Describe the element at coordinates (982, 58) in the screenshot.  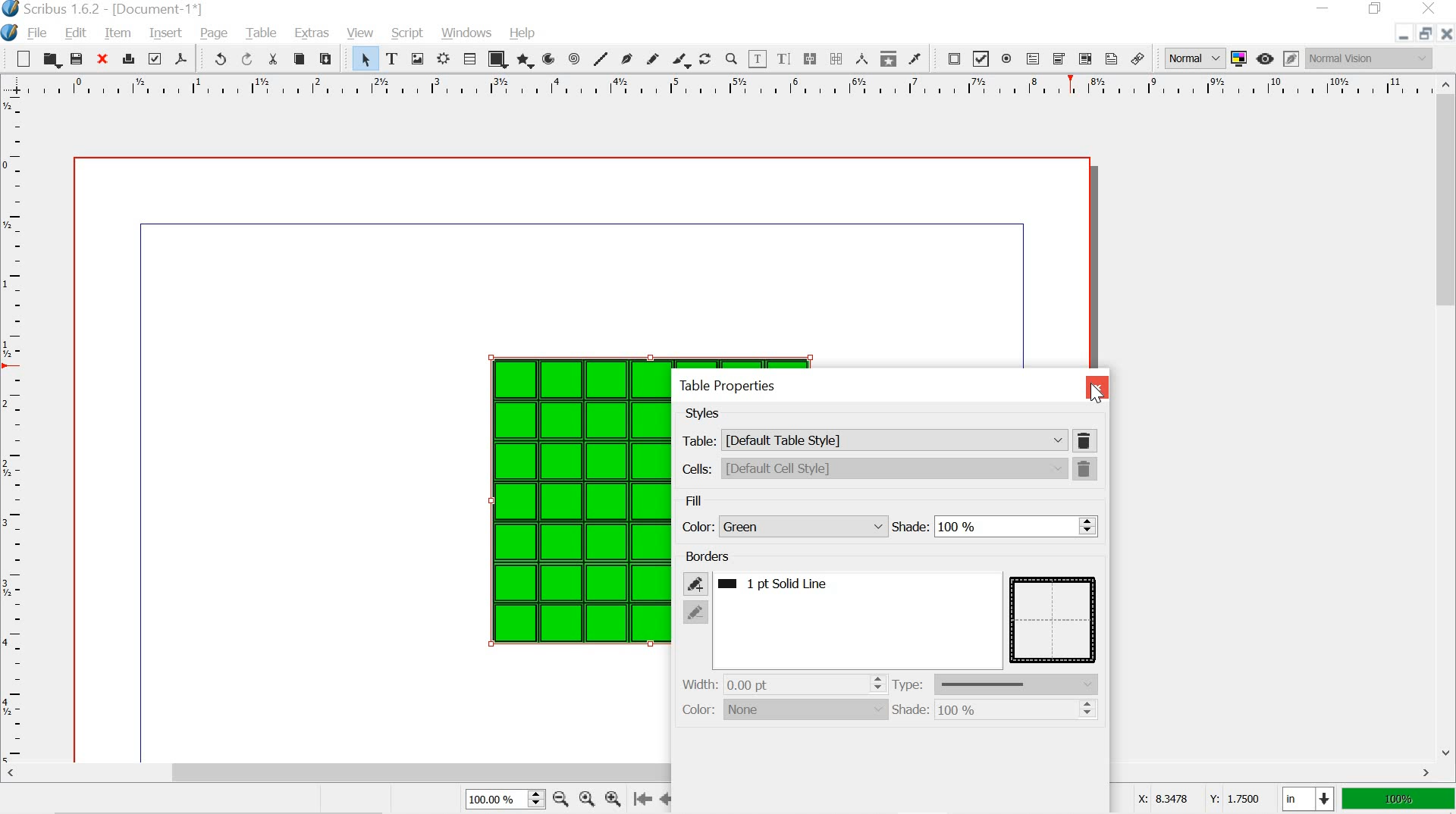
I see `pdf check box` at that location.